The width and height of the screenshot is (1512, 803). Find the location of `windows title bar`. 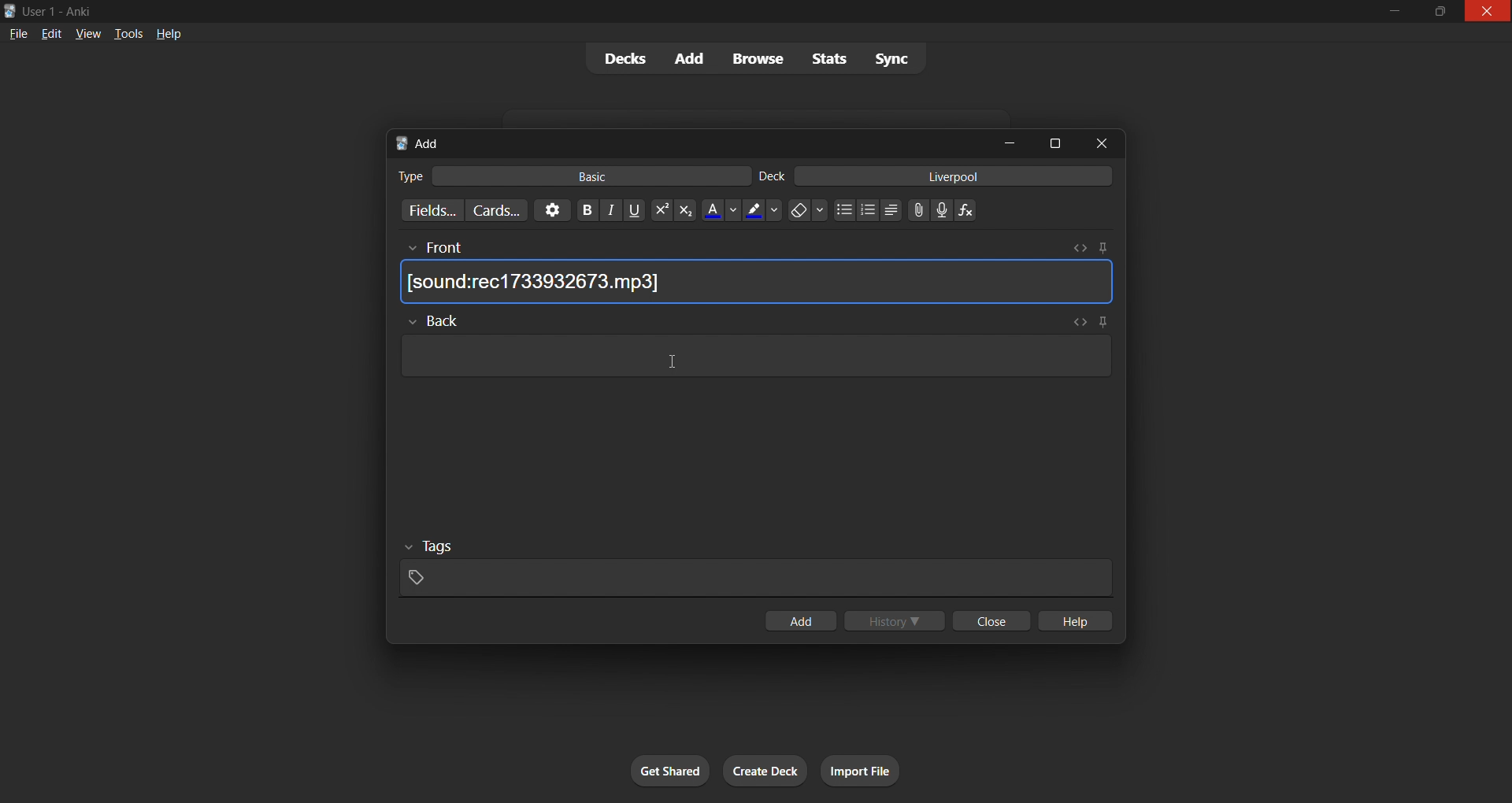

windows title bar is located at coordinates (660, 11).